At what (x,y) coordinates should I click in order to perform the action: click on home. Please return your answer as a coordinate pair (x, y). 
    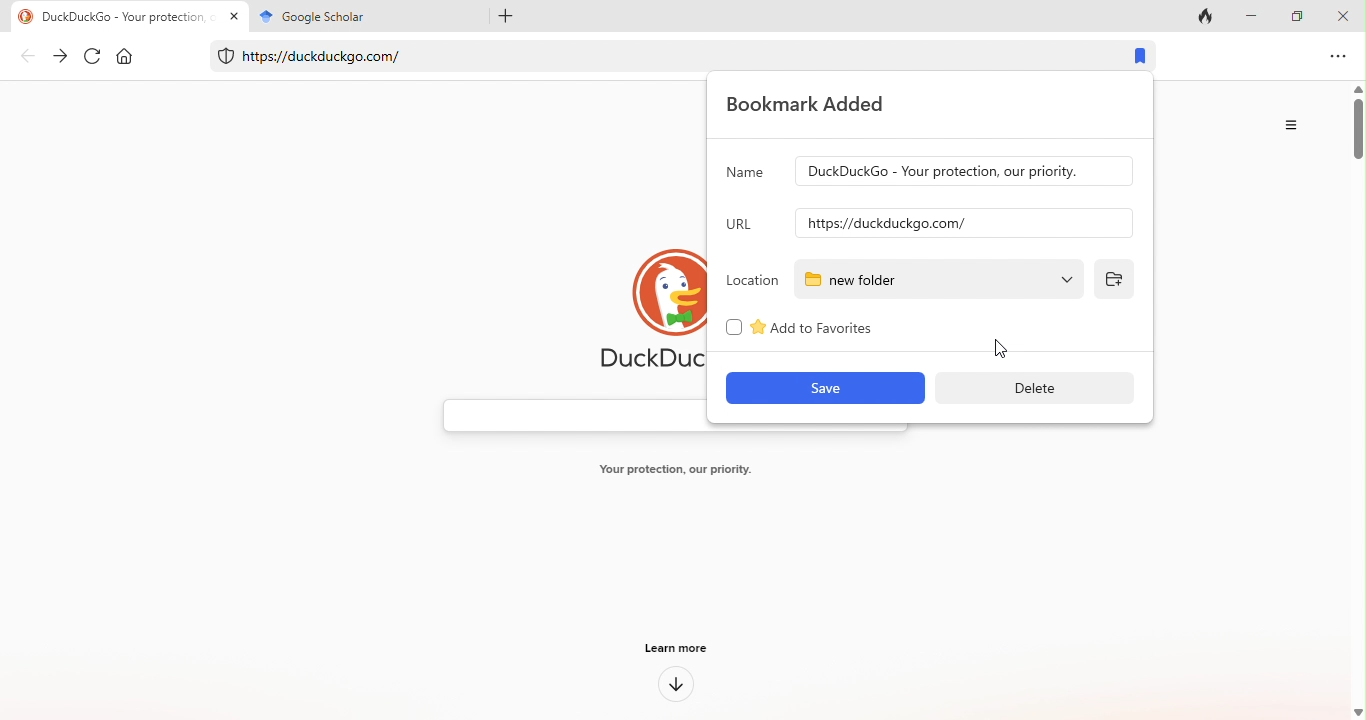
    Looking at the image, I should click on (128, 57).